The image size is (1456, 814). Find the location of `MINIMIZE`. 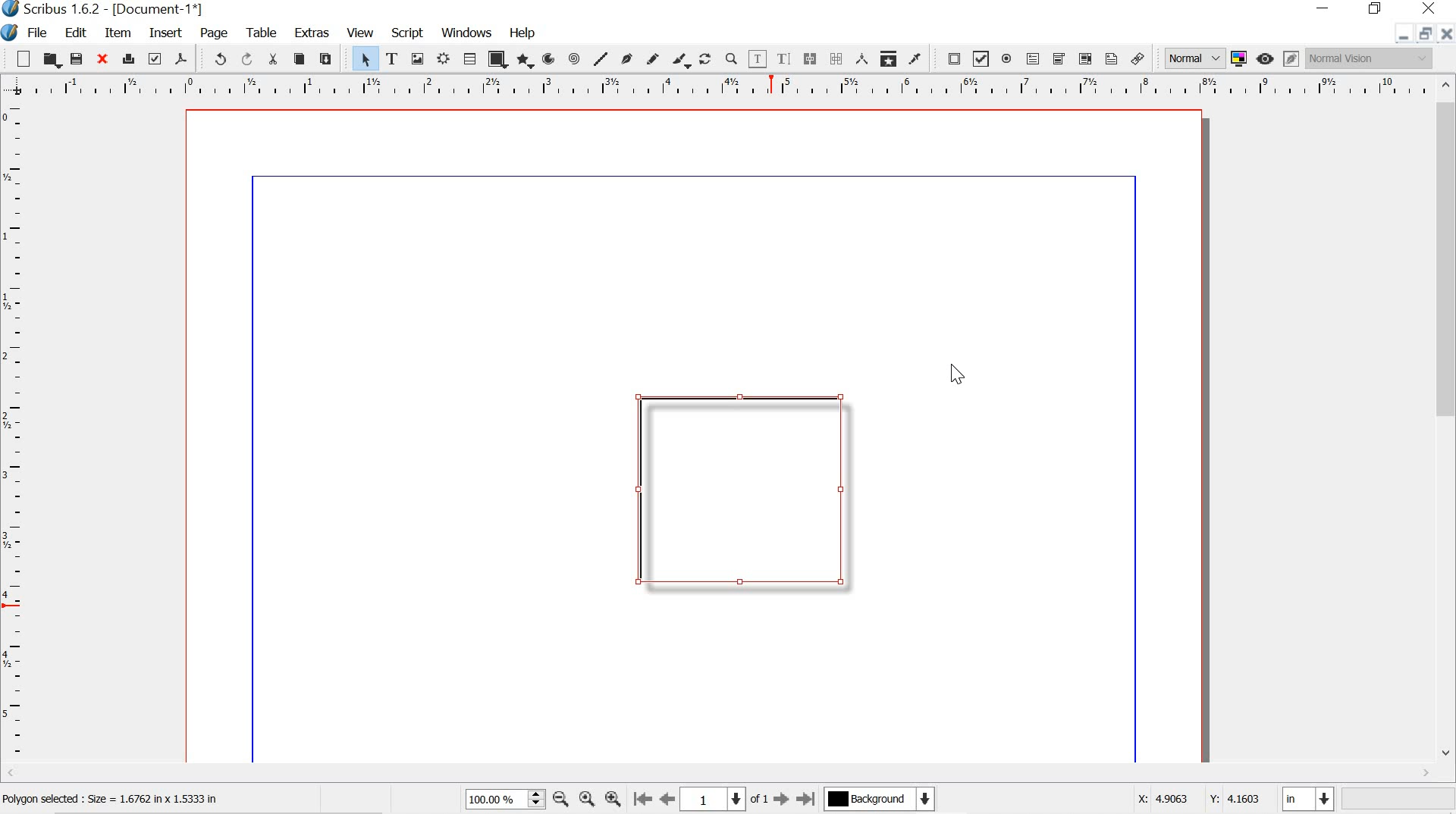

MINIMIZE is located at coordinates (1398, 39).